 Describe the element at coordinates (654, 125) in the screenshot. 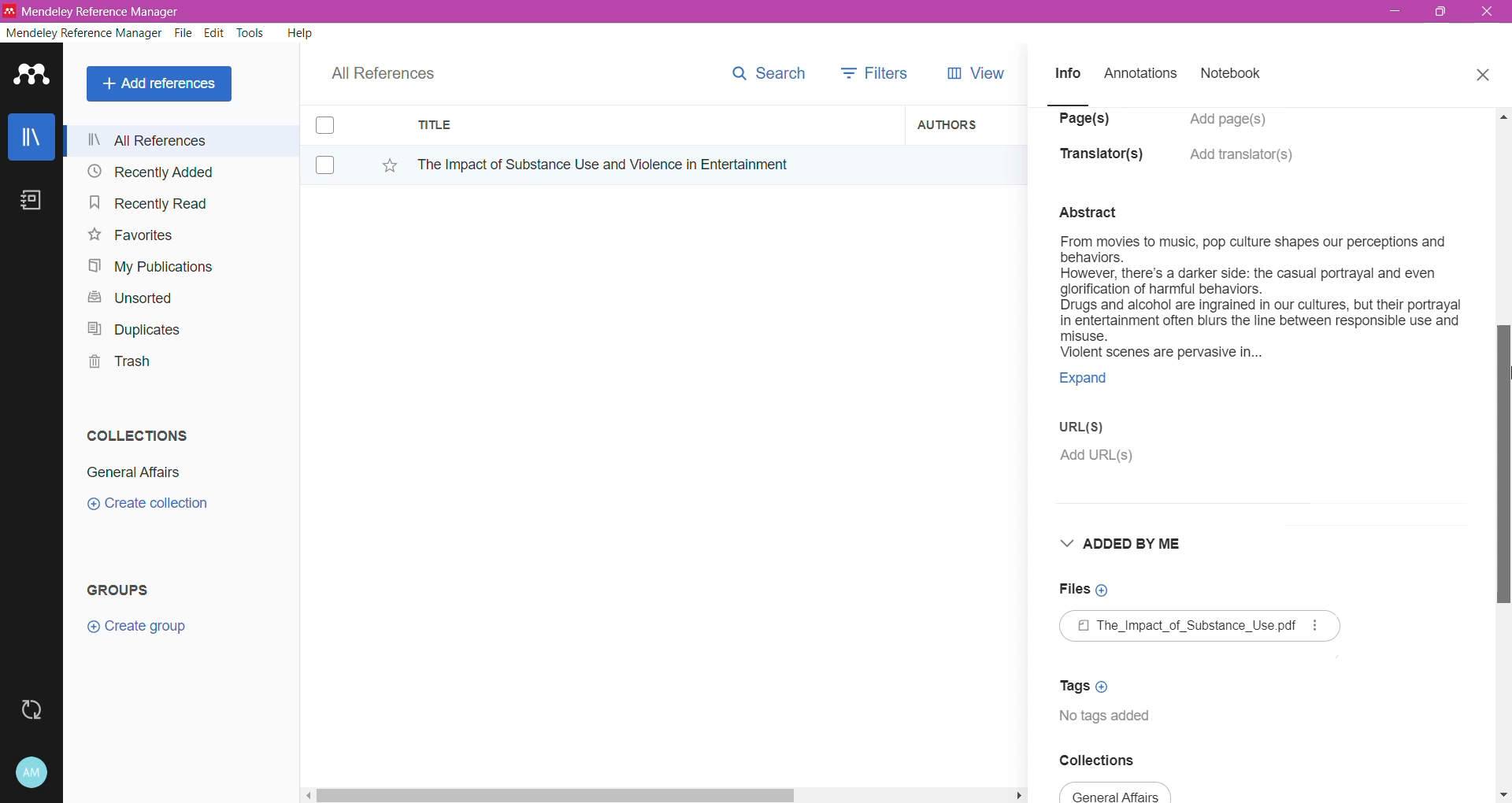

I see `Title` at that location.